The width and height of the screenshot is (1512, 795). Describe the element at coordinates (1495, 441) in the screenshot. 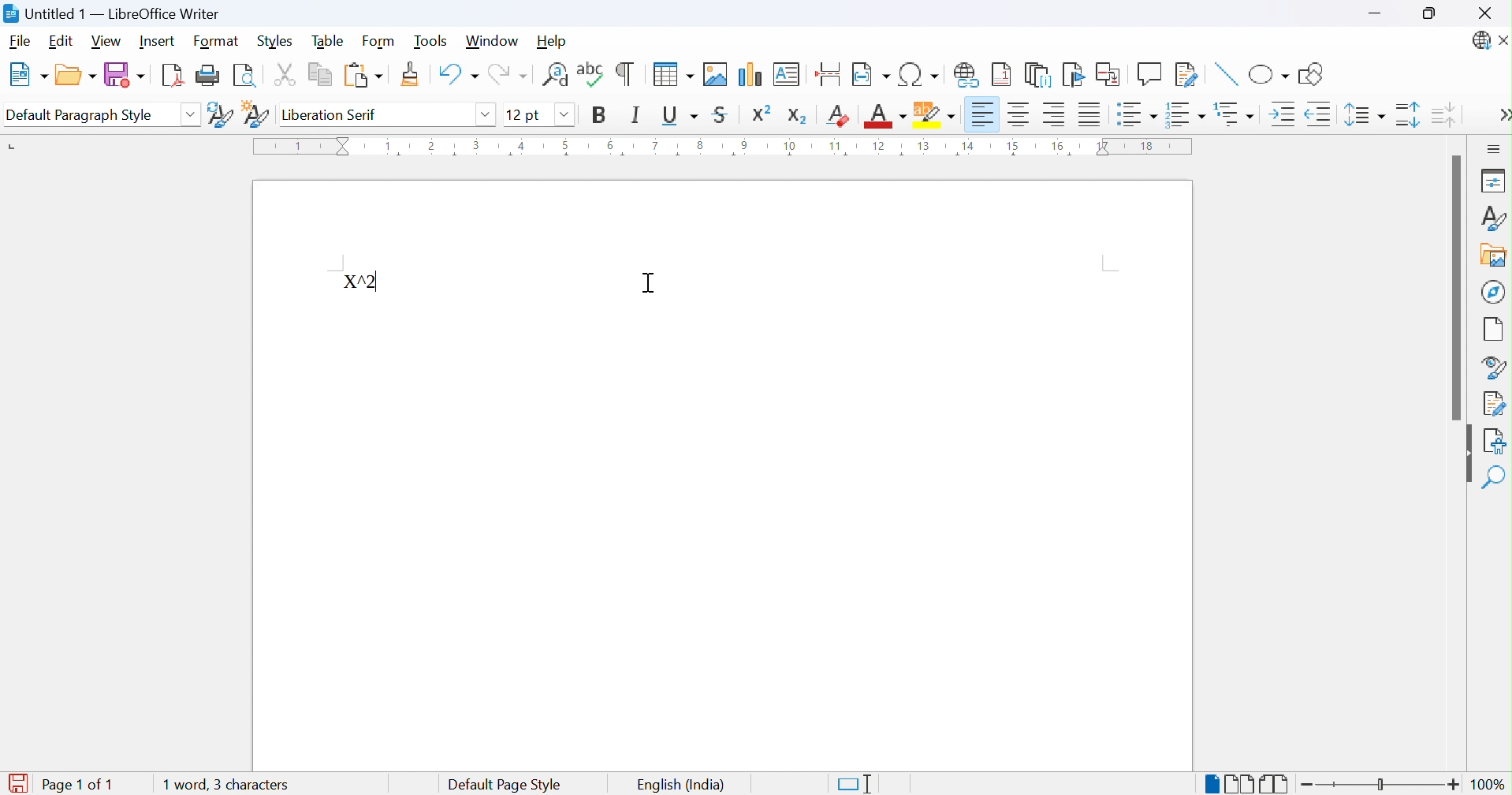

I see `Accessibility check` at that location.